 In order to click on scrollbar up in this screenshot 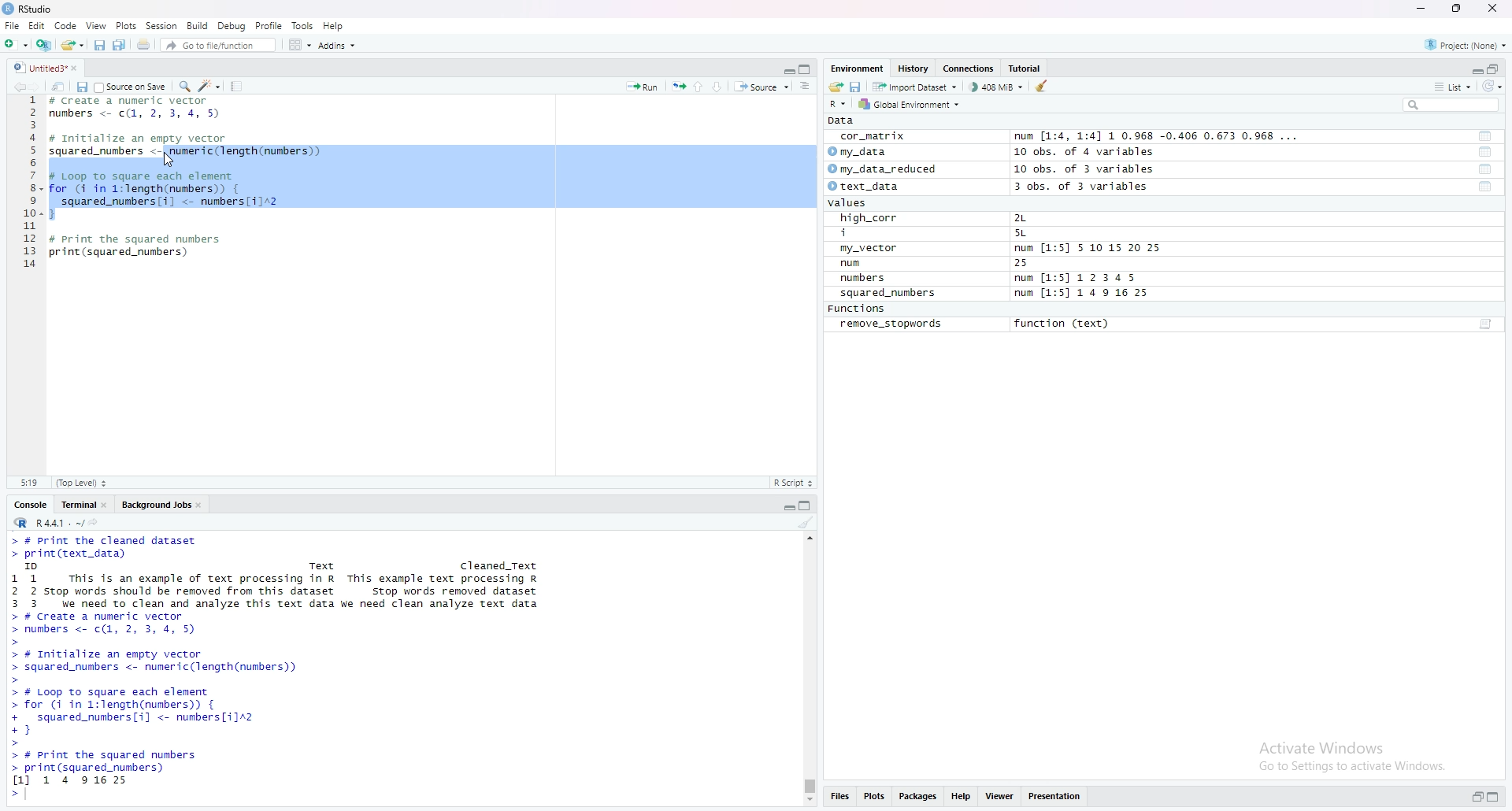, I will do `click(808, 536)`.